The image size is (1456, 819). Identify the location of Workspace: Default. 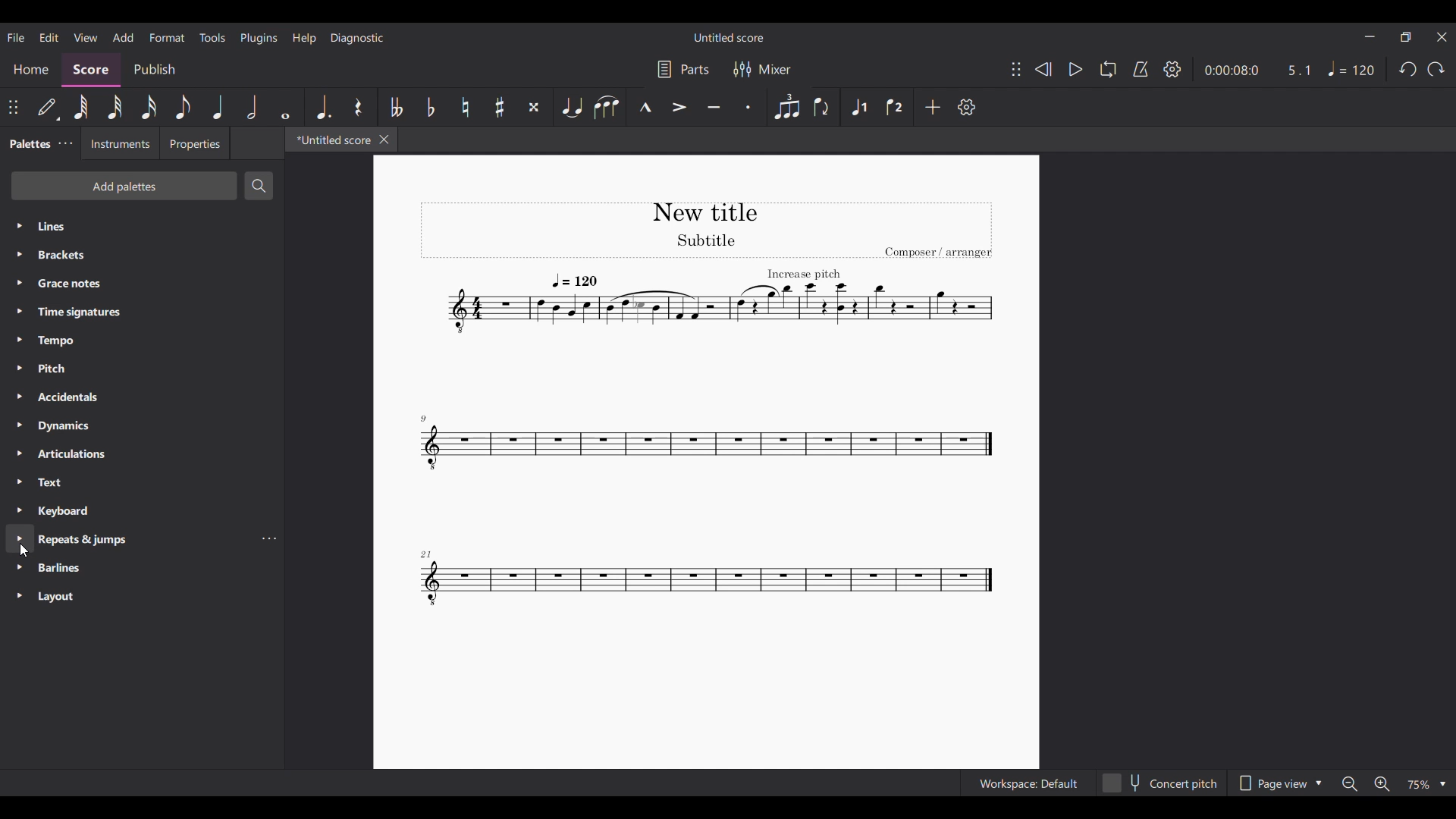
(1028, 783).